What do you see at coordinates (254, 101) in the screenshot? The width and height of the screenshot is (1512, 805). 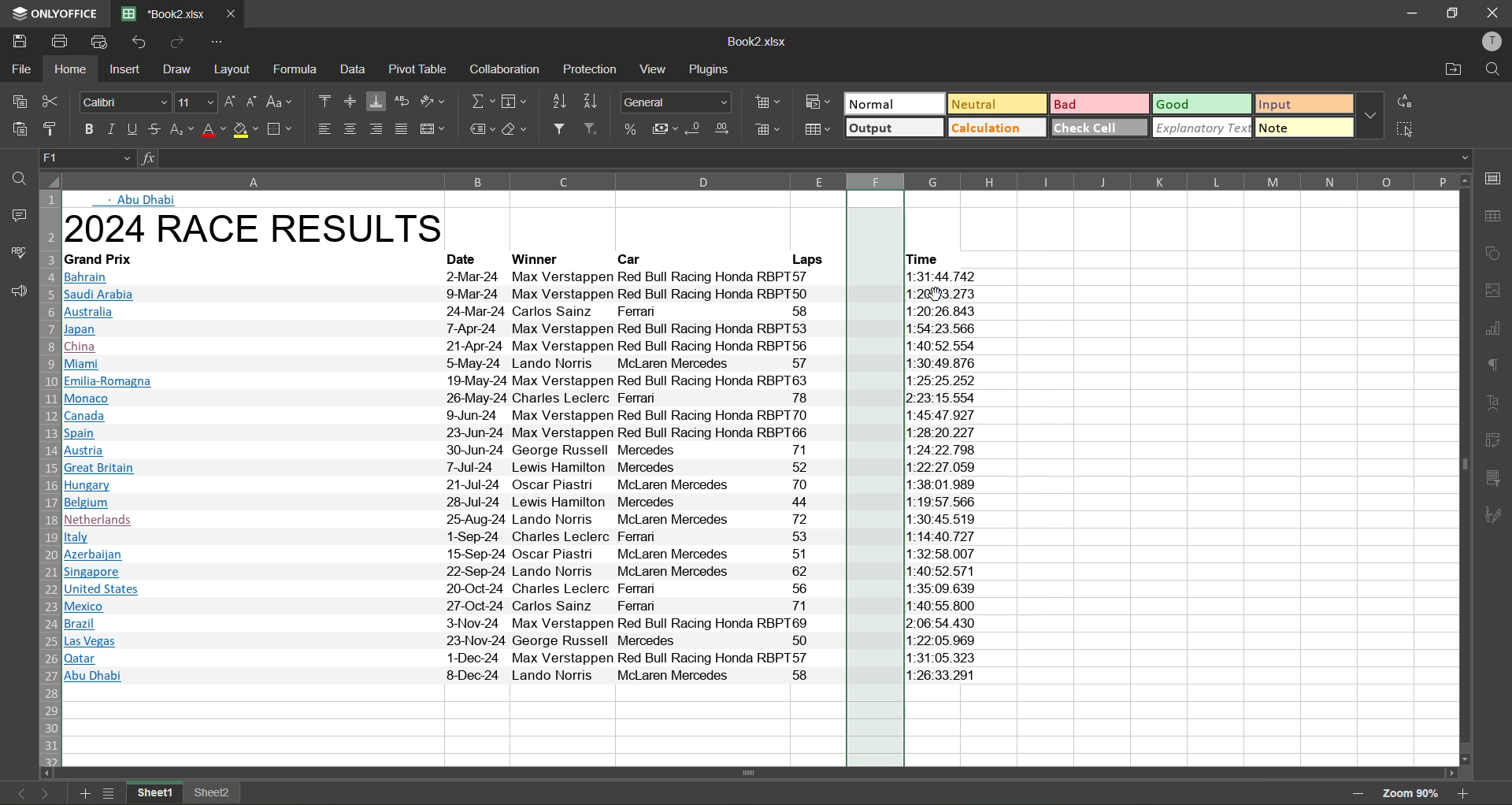 I see `decrement size` at bounding box center [254, 101].